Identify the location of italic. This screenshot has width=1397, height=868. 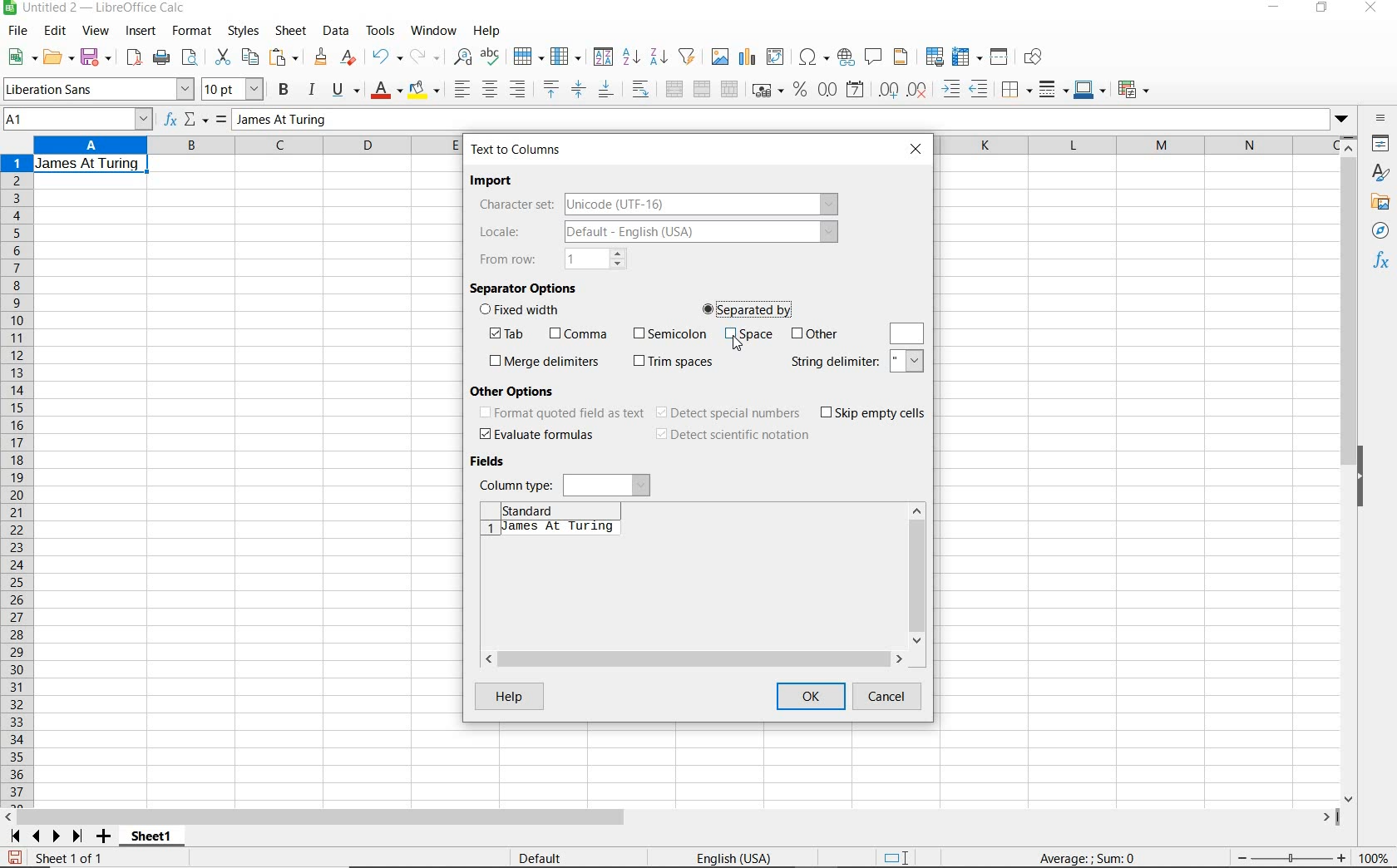
(312, 89).